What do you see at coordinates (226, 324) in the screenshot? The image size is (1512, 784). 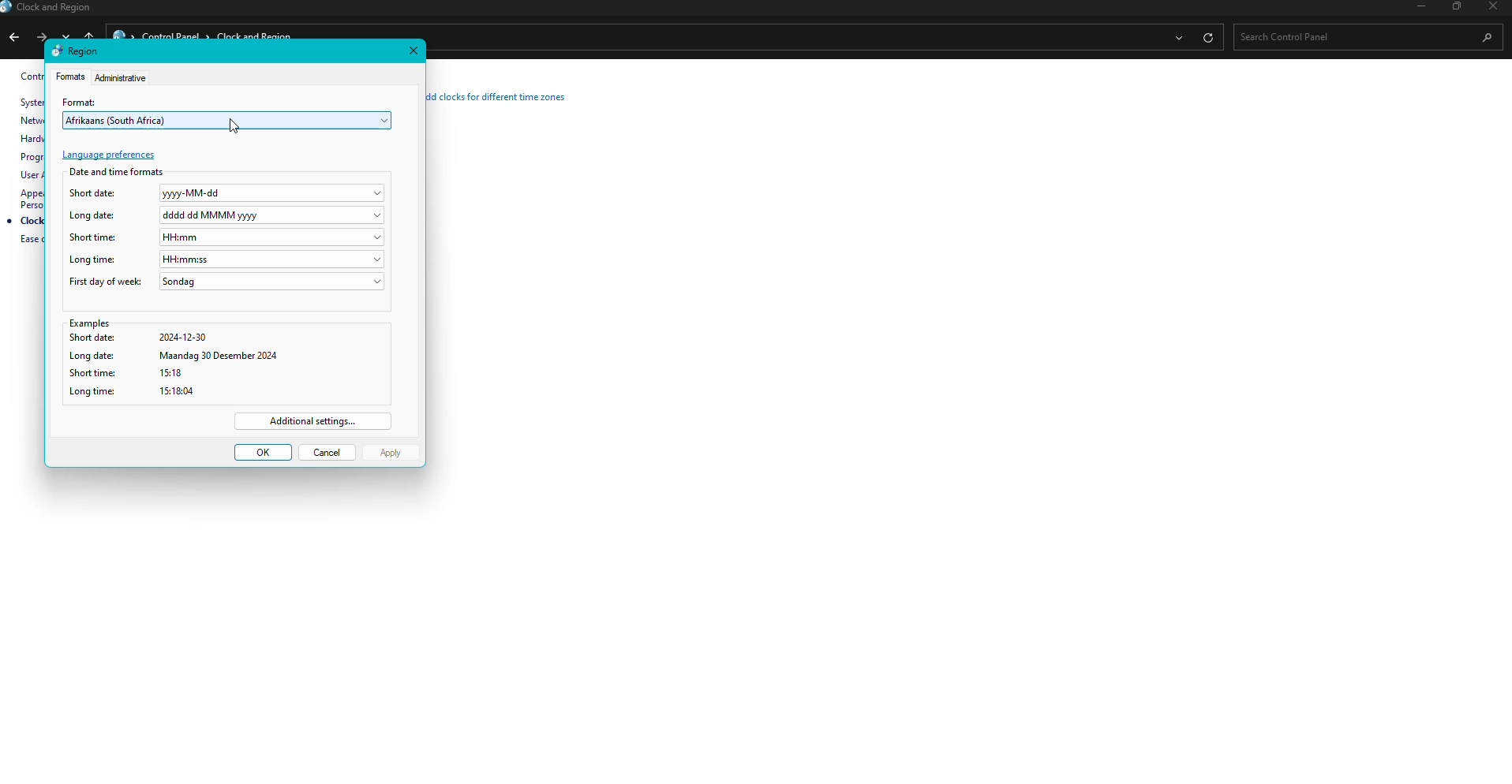 I see `Examples` at bounding box center [226, 324].